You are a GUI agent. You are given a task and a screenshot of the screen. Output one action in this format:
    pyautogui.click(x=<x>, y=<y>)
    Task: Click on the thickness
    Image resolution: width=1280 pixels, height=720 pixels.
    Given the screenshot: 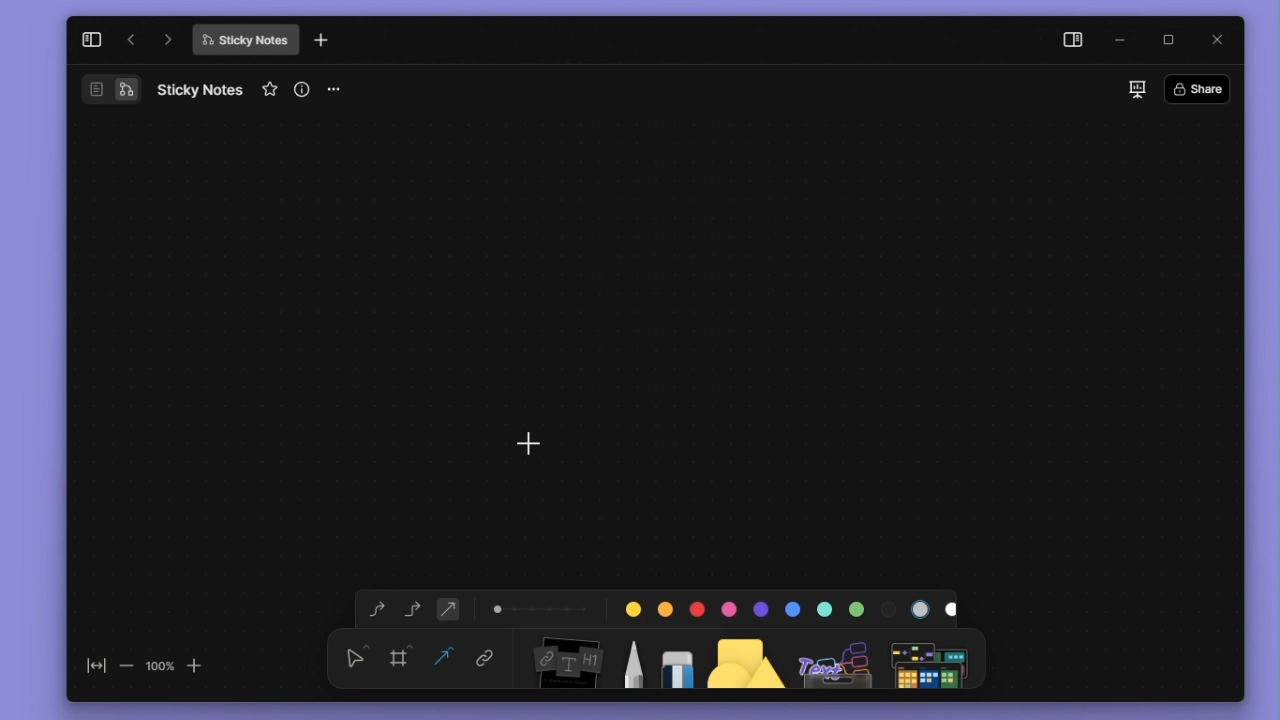 What is the action you would take?
    pyautogui.click(x=541, y=607)
    